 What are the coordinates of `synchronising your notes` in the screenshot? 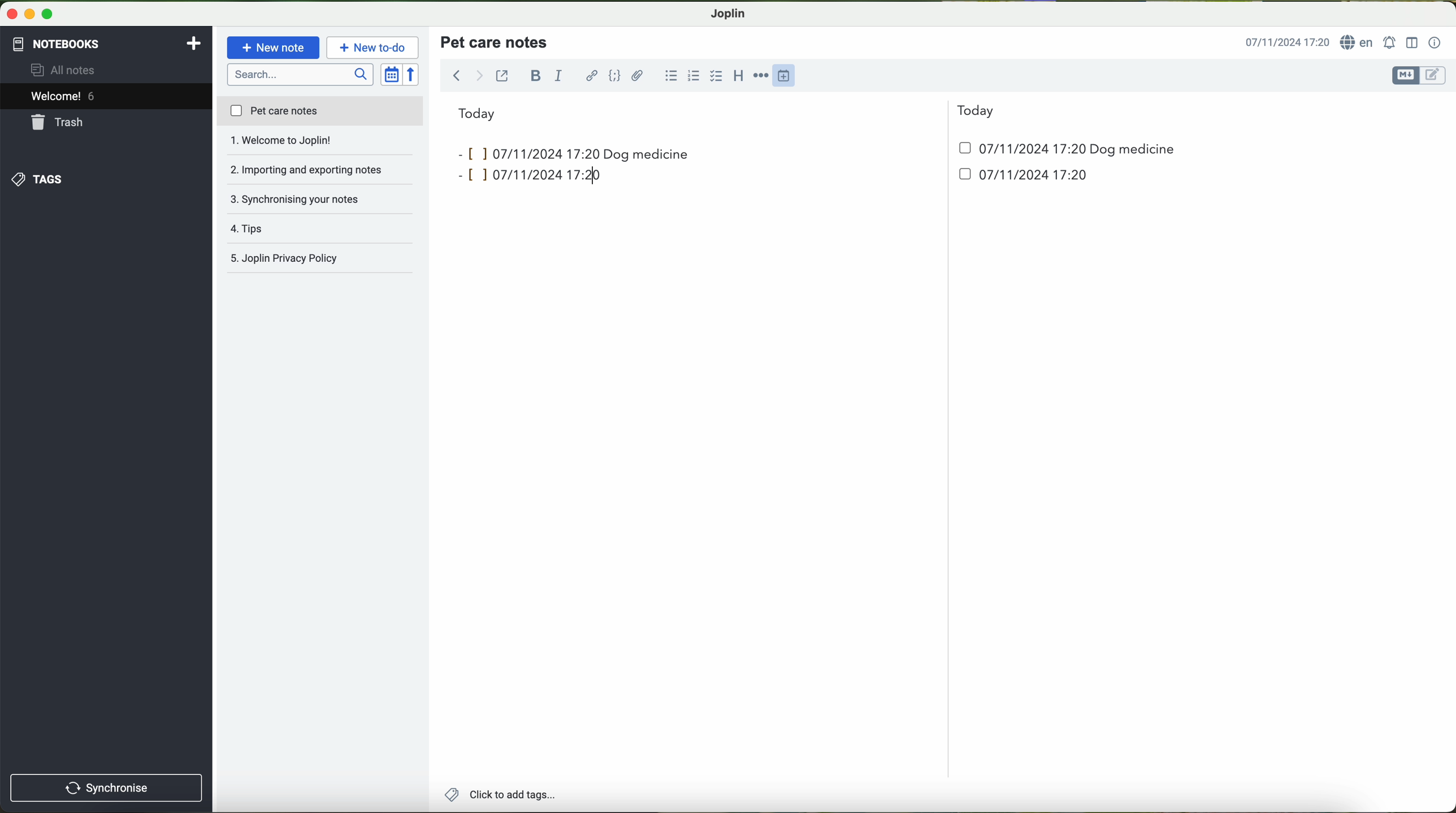 It's located at (321, 171).